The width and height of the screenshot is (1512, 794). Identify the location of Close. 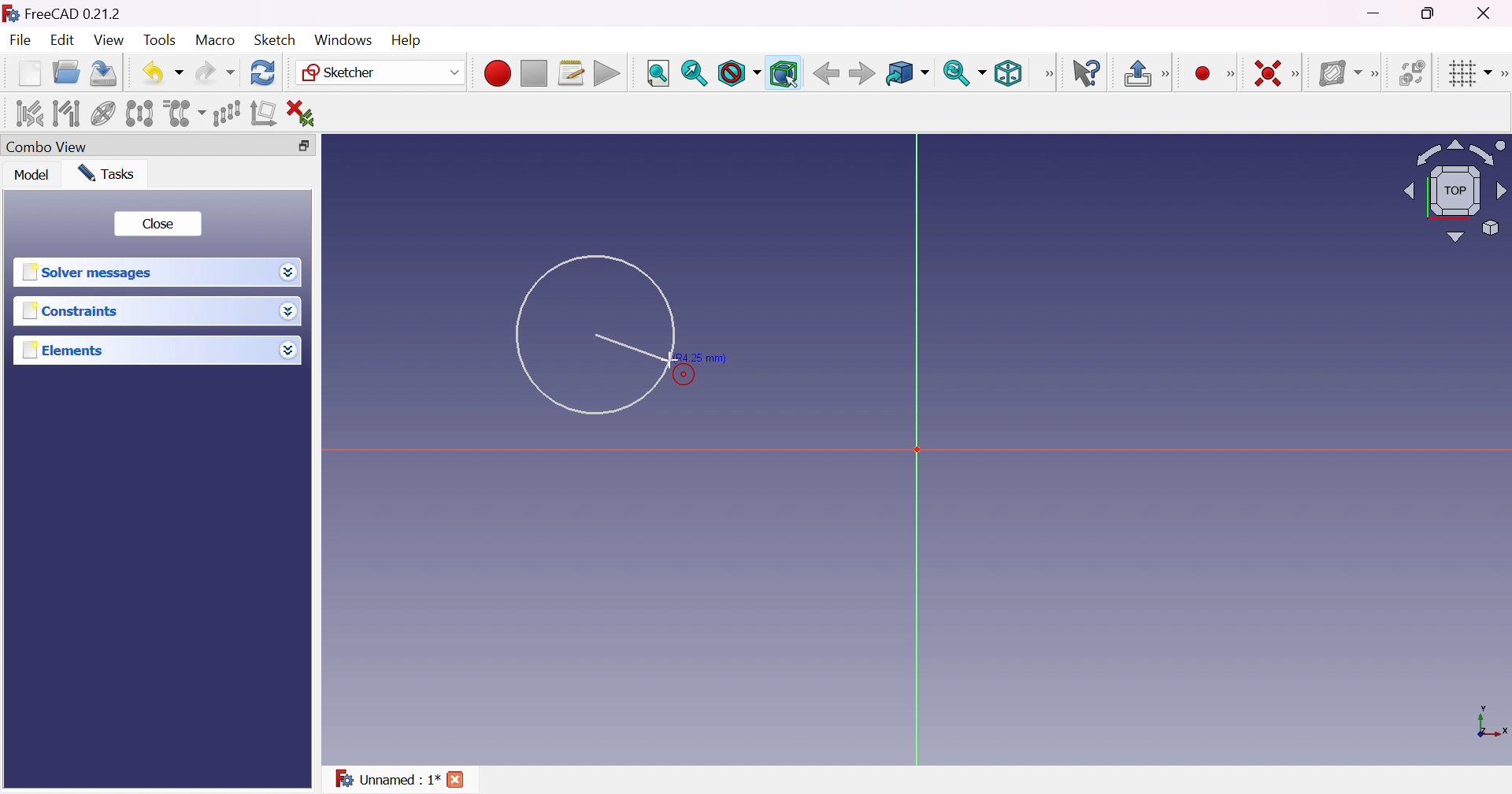
(457, 778).